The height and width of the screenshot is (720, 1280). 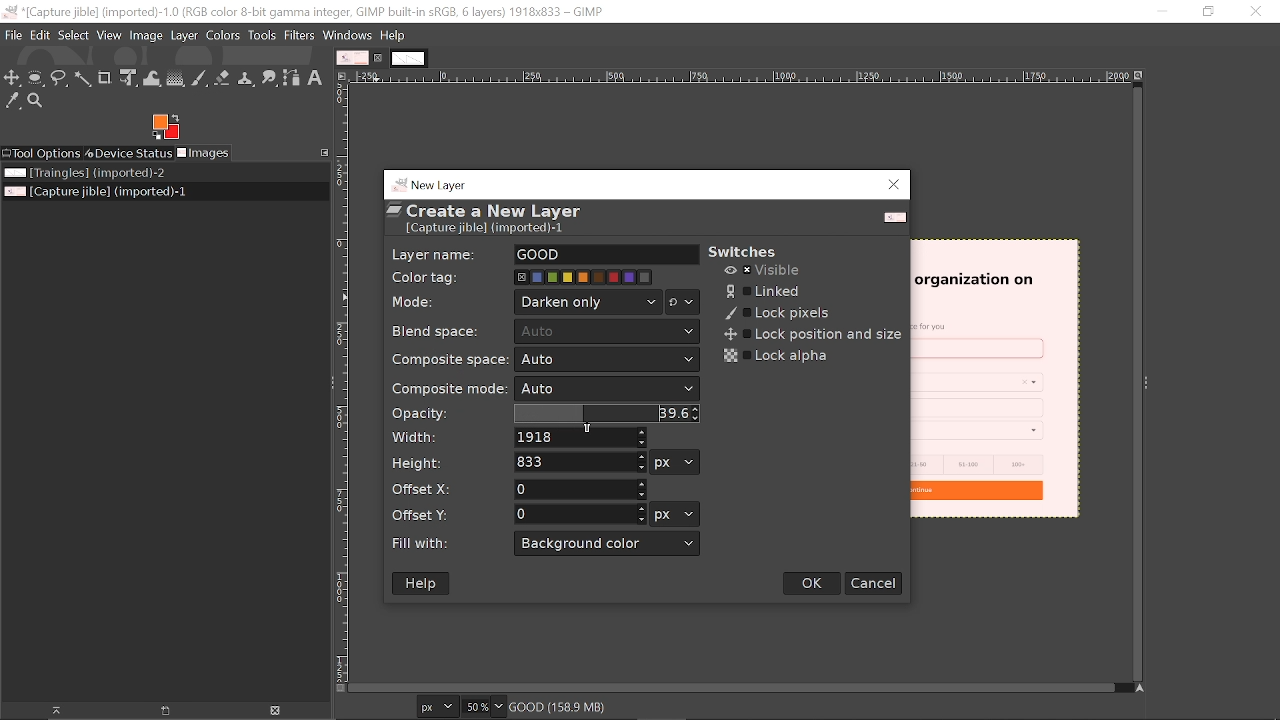 I want to click on Ellipse select tool, so click(x=36, y=79).